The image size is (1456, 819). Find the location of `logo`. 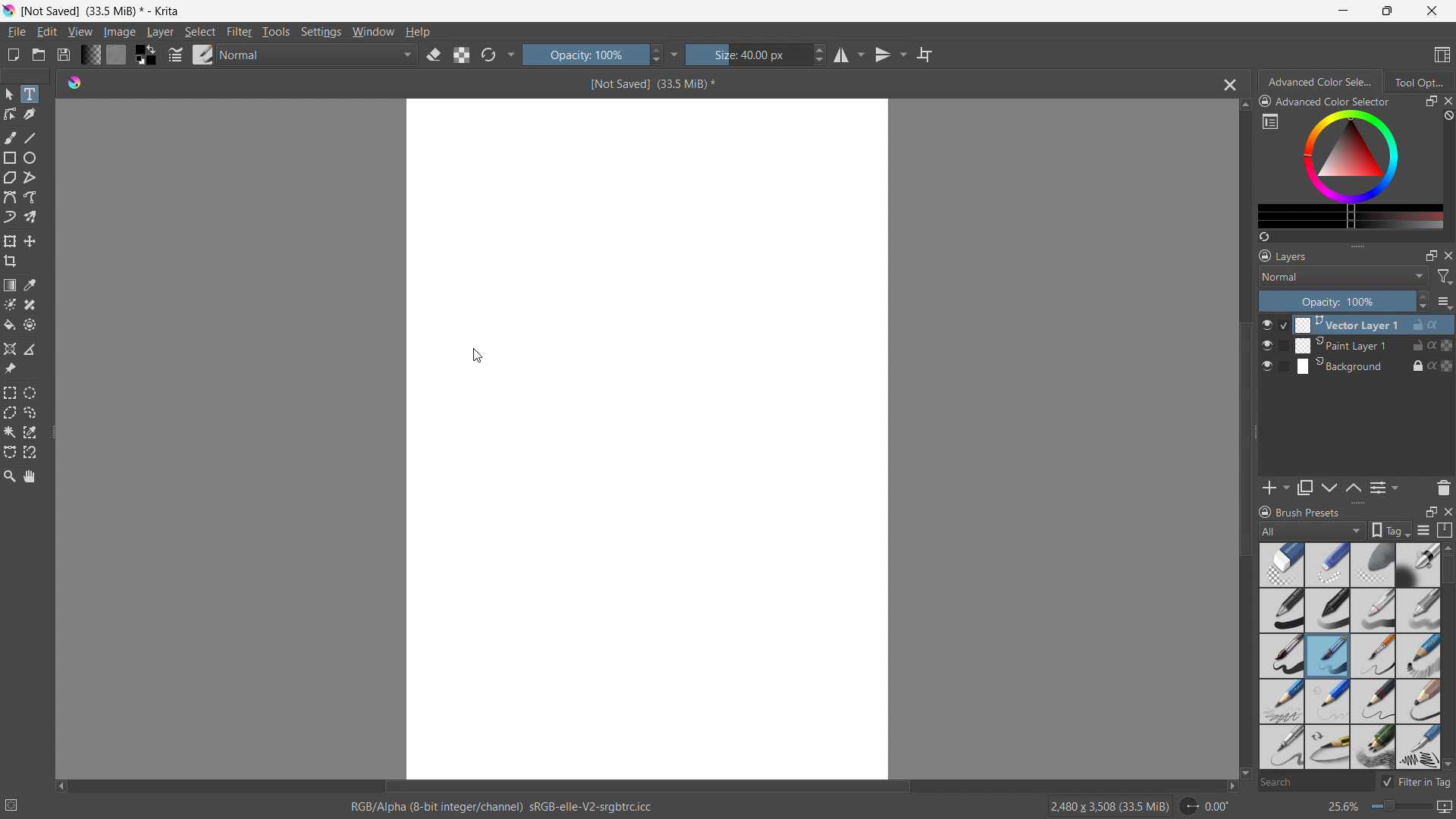

logo is located at coordinates (9, 11).